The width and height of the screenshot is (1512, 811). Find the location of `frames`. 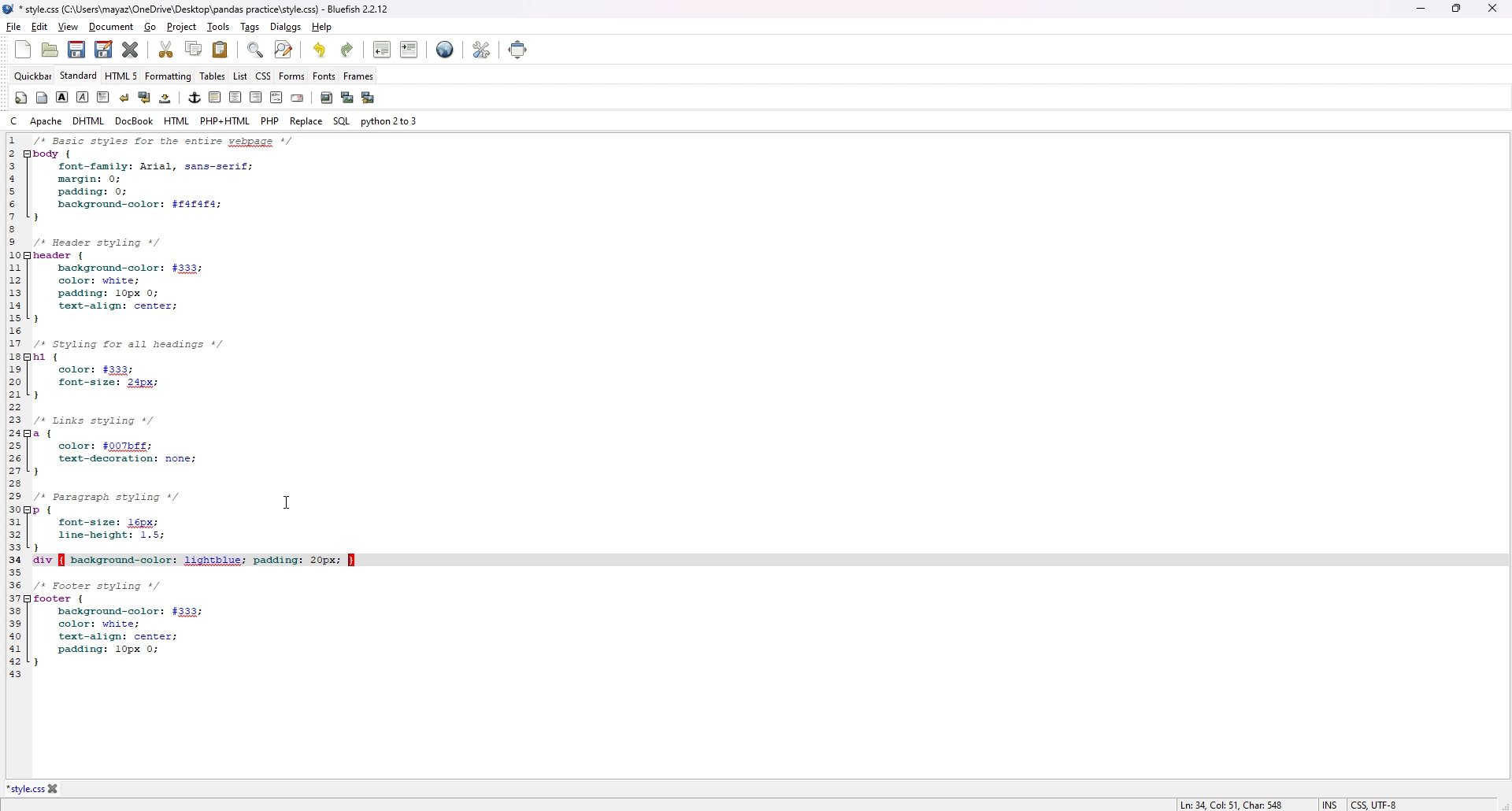

frames is located at coordinates (359, 76).